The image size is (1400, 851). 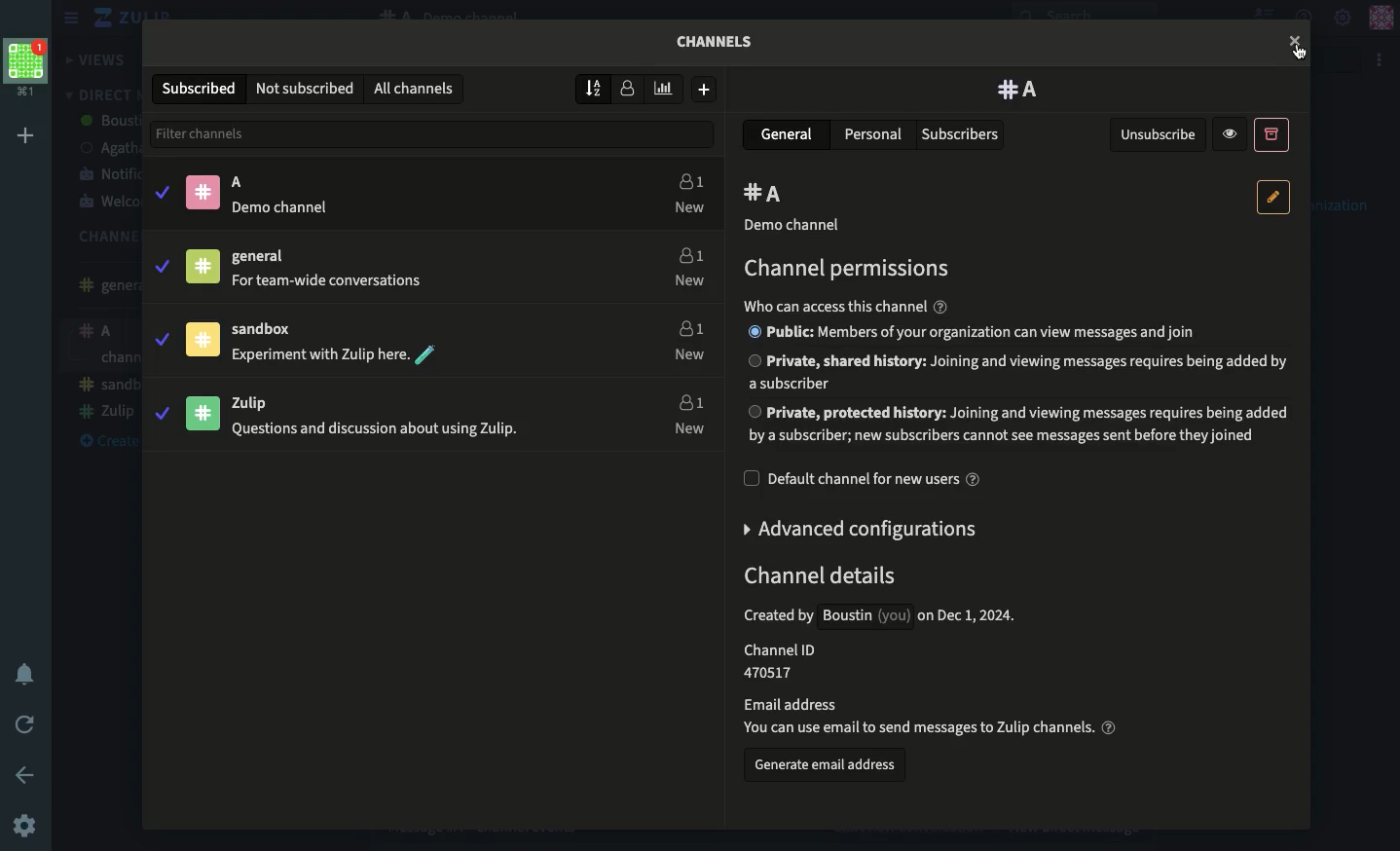 What do you see at coordinates (25, 726) in the screenshot?
I see `Refresh` at bounding box center [25, 726].